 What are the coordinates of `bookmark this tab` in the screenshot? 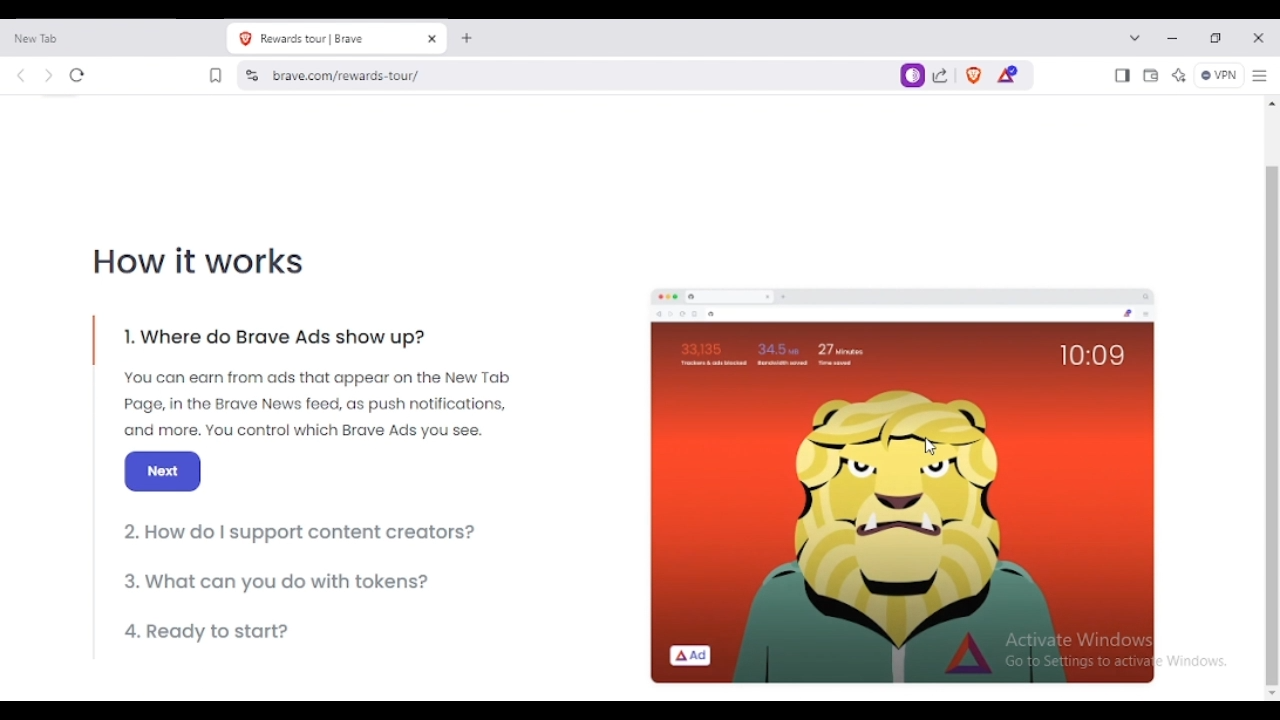 It's located at (216, 75).